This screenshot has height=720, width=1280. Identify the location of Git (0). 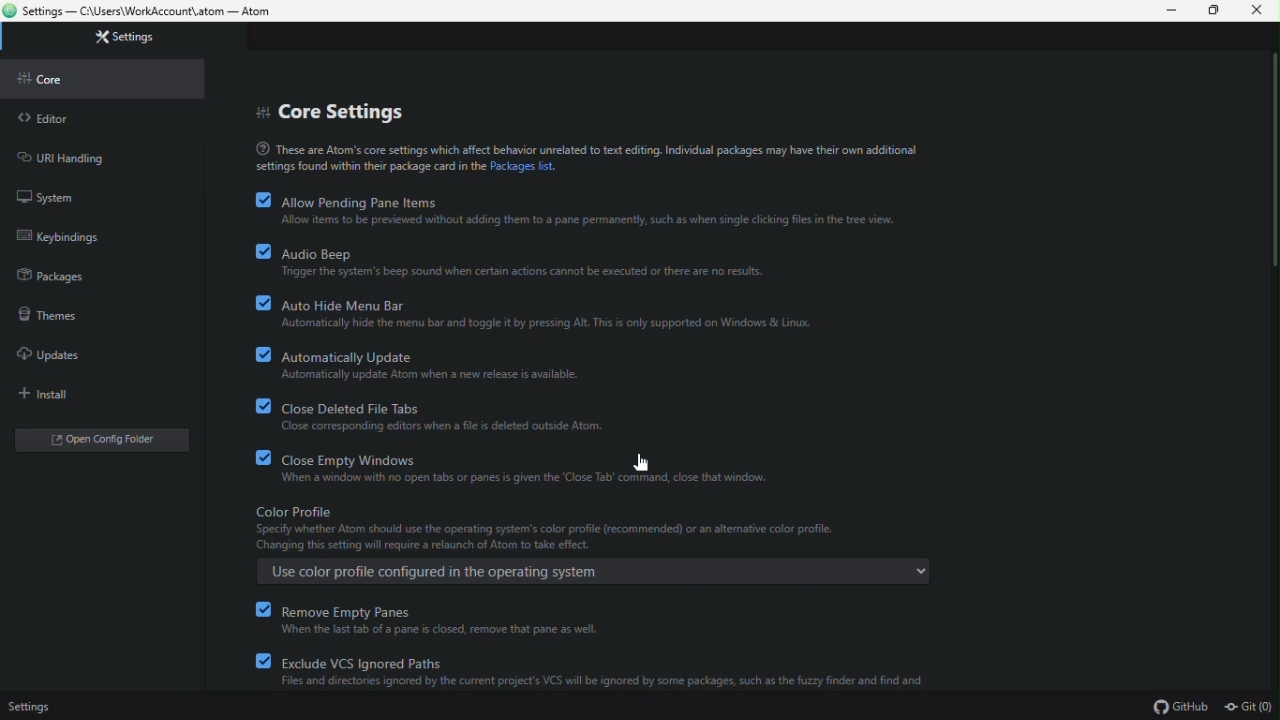
(1248, 705).